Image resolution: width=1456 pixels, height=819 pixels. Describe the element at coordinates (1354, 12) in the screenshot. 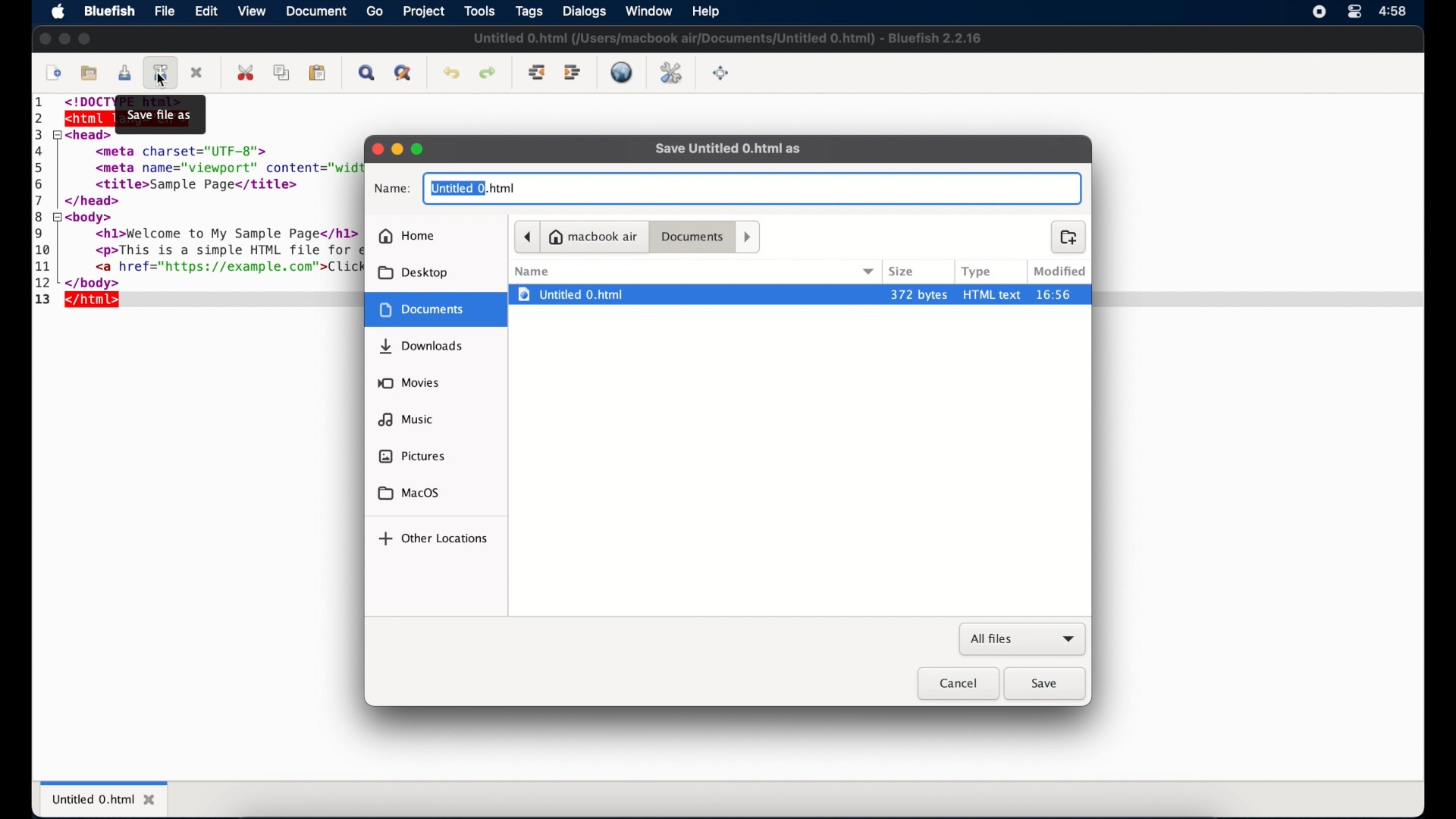

I see `control center` at that location.